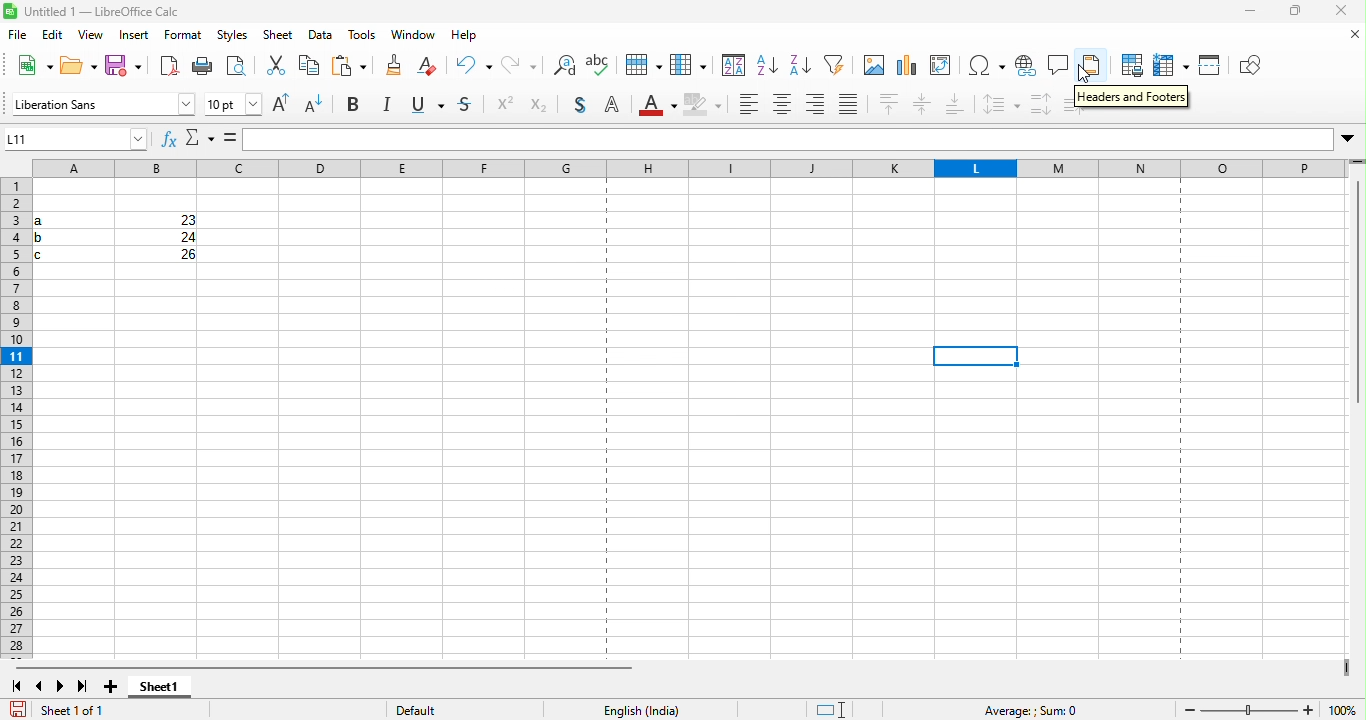  Describe the element at coordinates (1252, 13) in the screenshot. I see `minimize` at that location.